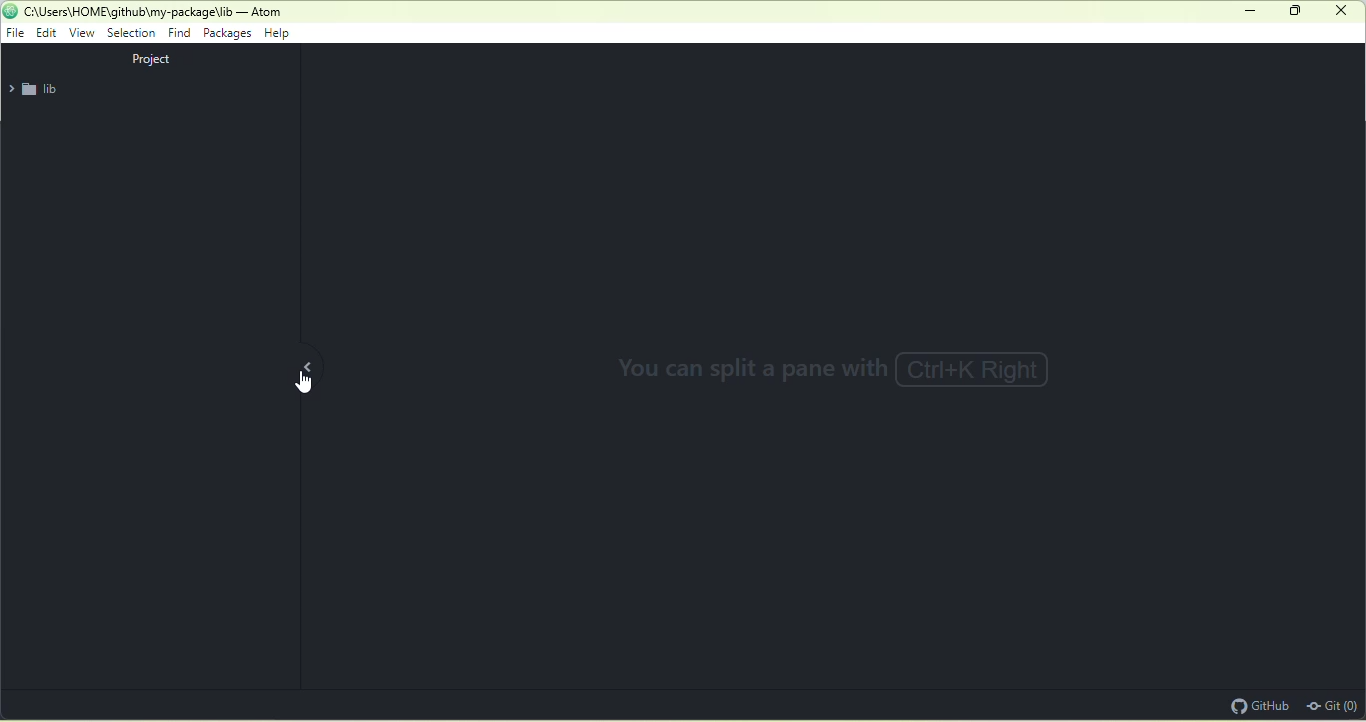 The width and height of the screenshot is (1366, 722). What do you see at coordinates (83, 33) in the screenshot?
I see `view` at bounding box center [83, 33].